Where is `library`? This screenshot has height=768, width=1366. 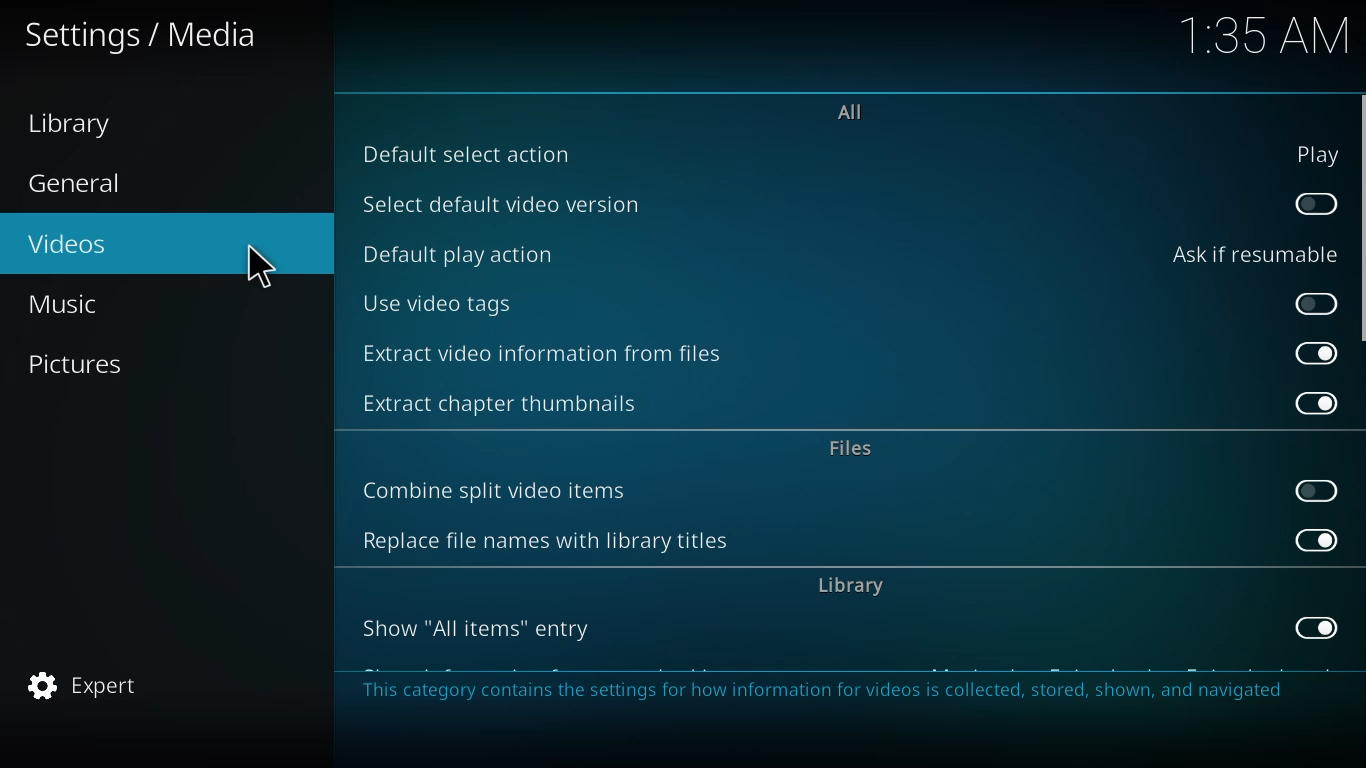 library is located at coordinates (77, 124).